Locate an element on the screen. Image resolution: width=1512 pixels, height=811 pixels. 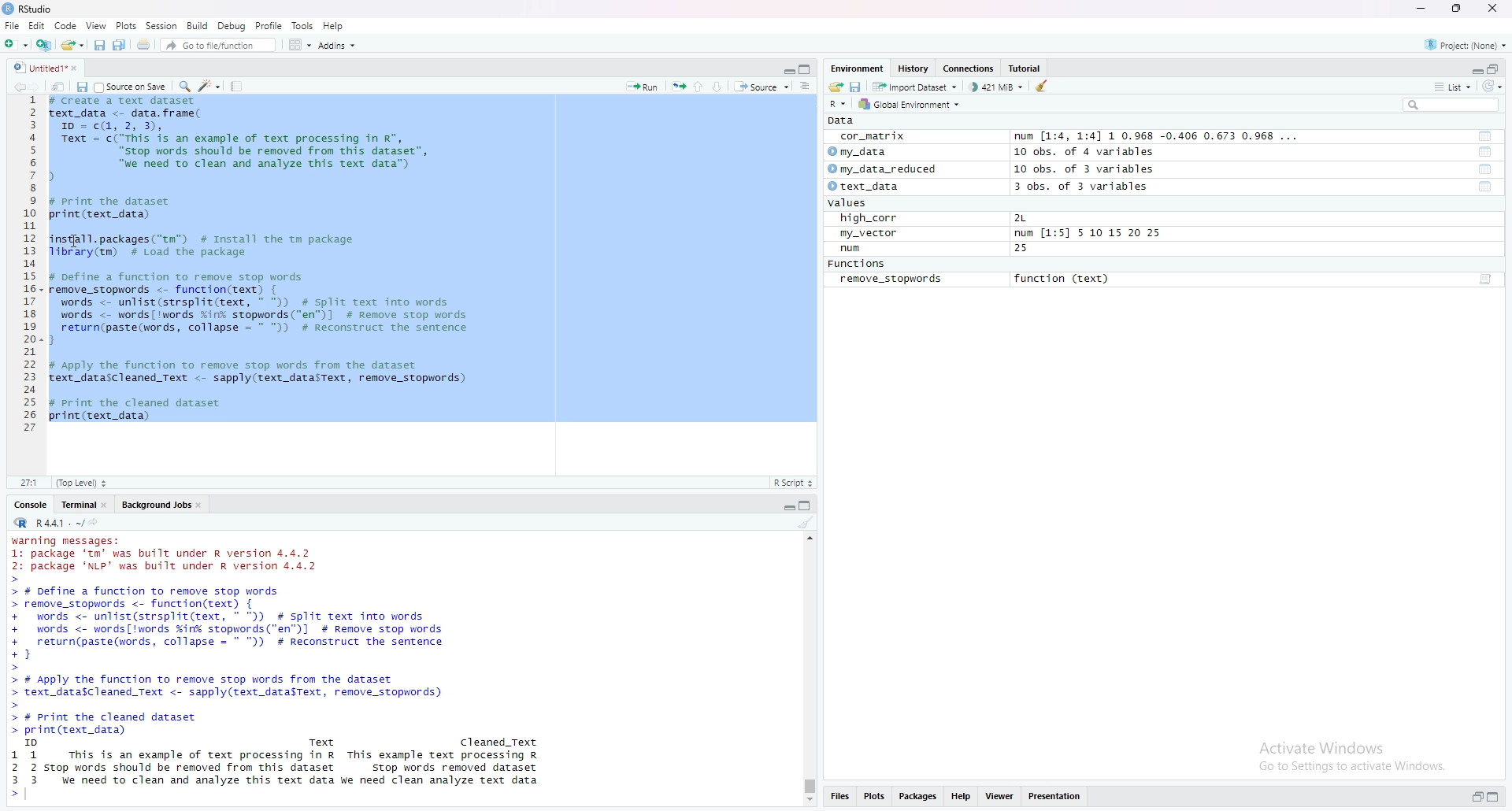
go to next section is located at coordinates (721, 85).